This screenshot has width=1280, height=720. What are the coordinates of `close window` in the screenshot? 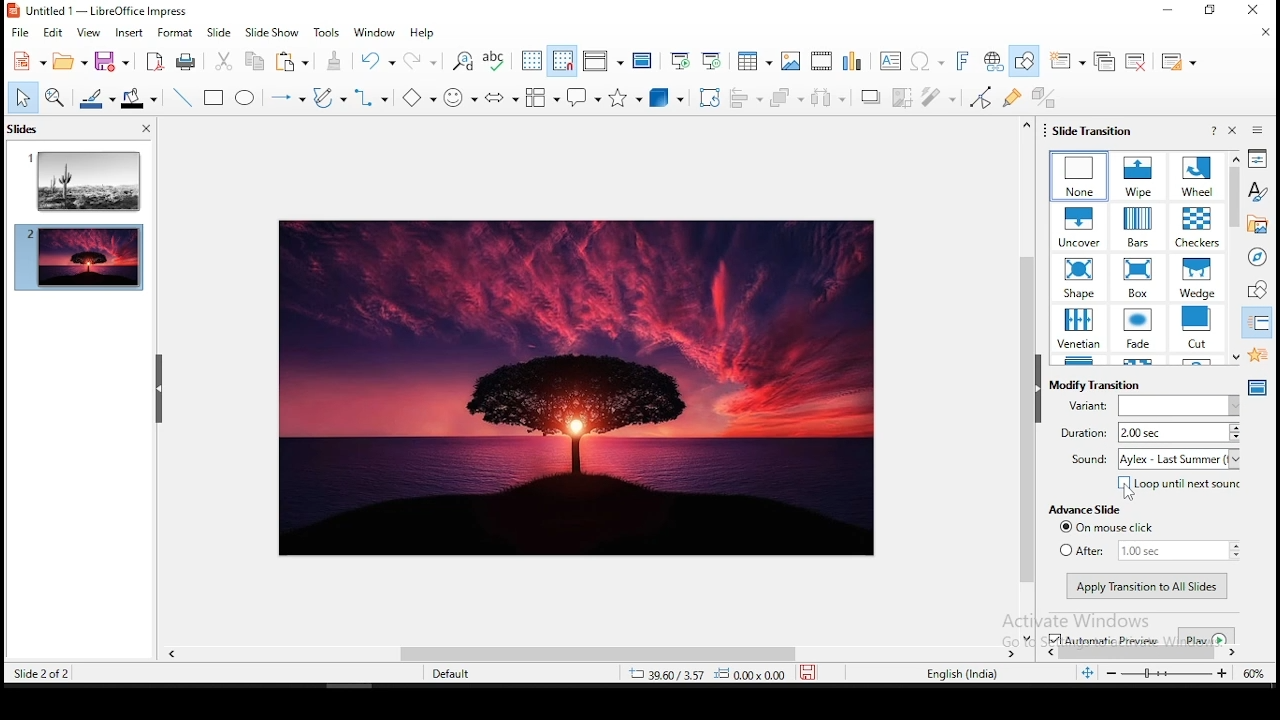 It's located at (1251, 11).